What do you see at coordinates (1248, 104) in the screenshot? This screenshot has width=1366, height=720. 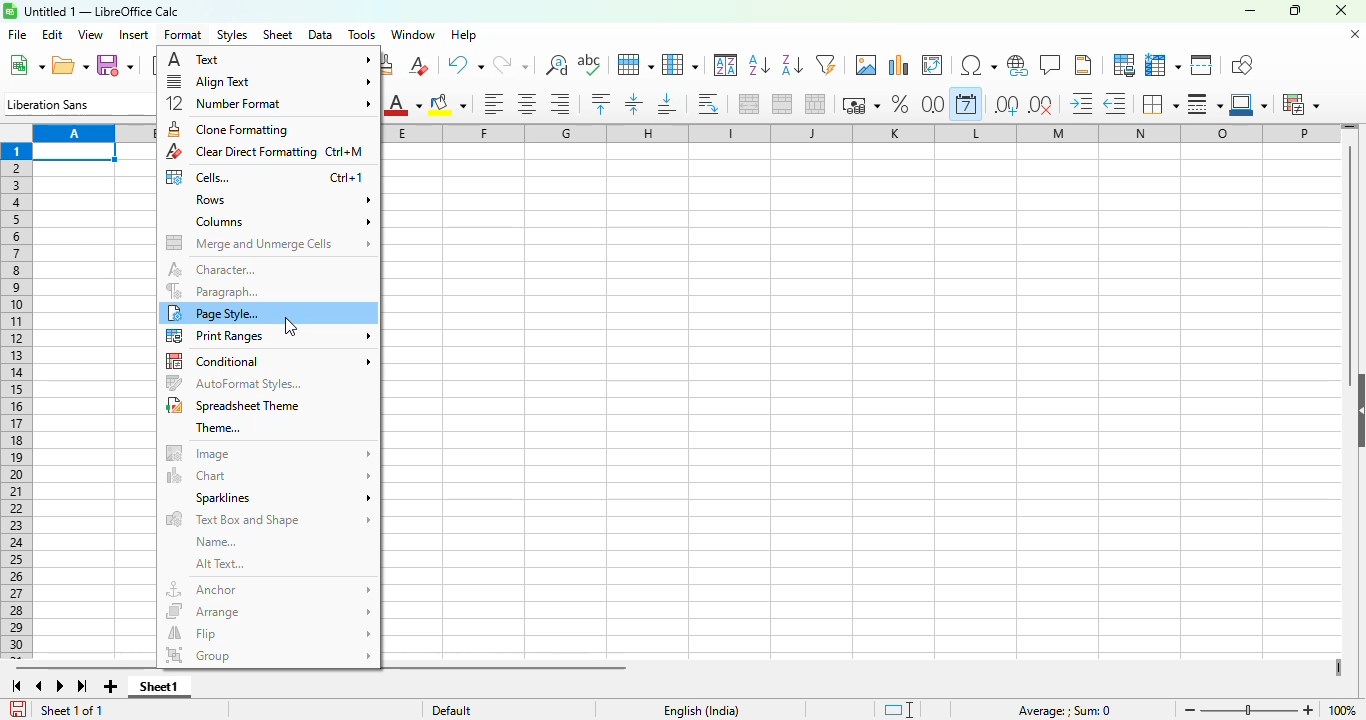 I see `border color` at bounding box center [1248, 104].